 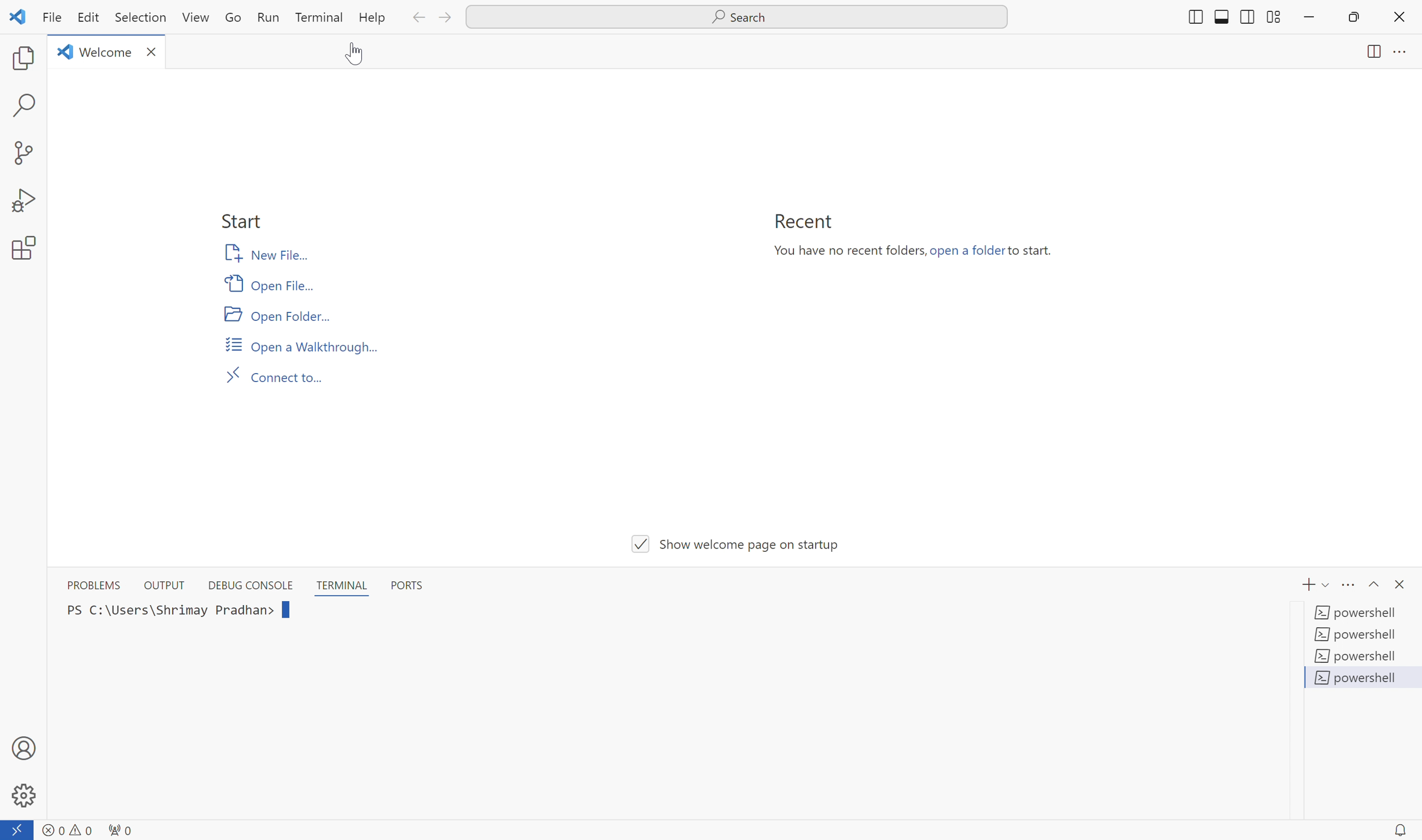 I want to click on more options, so click(x=1349, y=585).